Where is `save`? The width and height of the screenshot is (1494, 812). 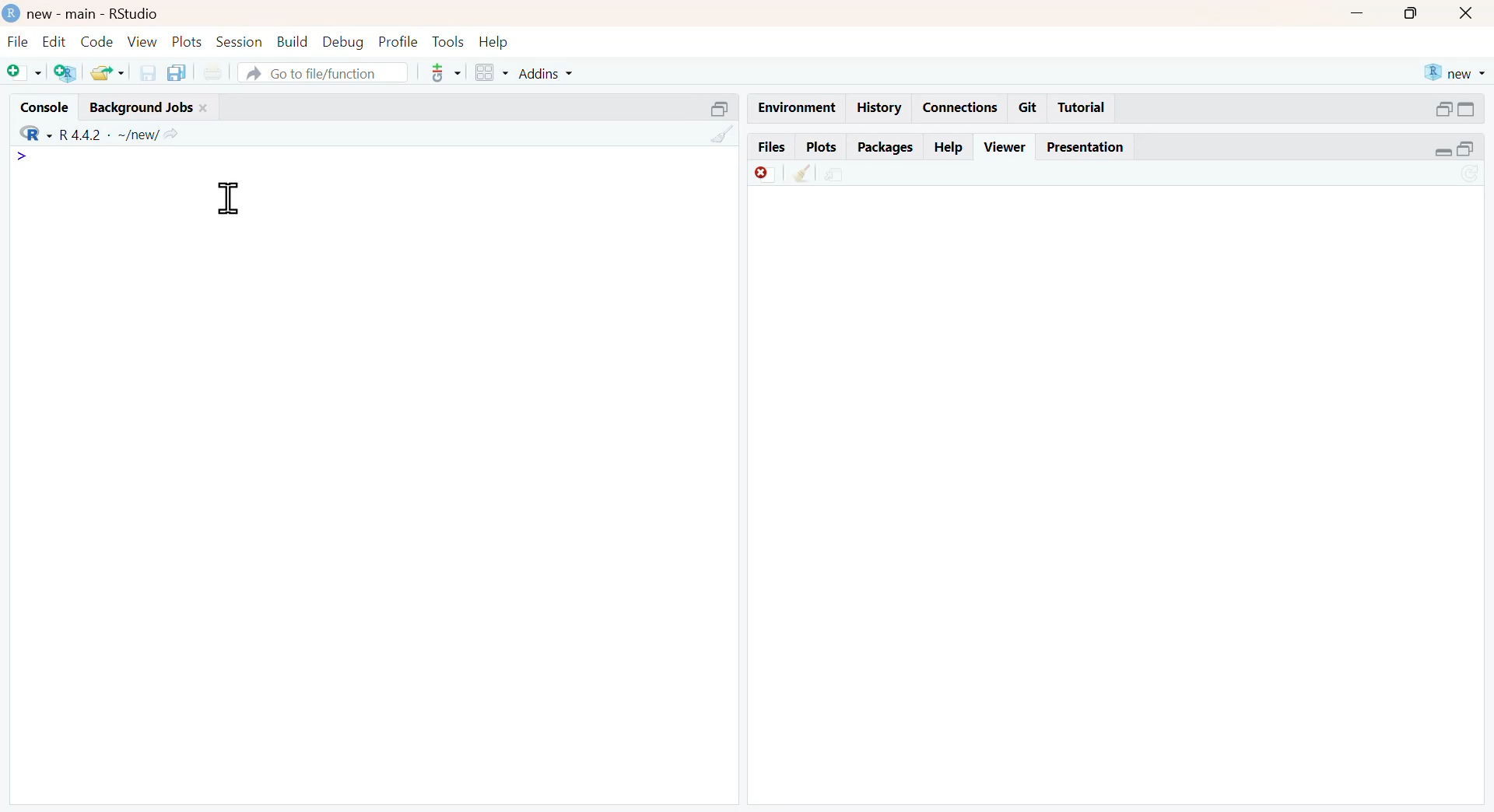 save is located at coordinates (149, 72).